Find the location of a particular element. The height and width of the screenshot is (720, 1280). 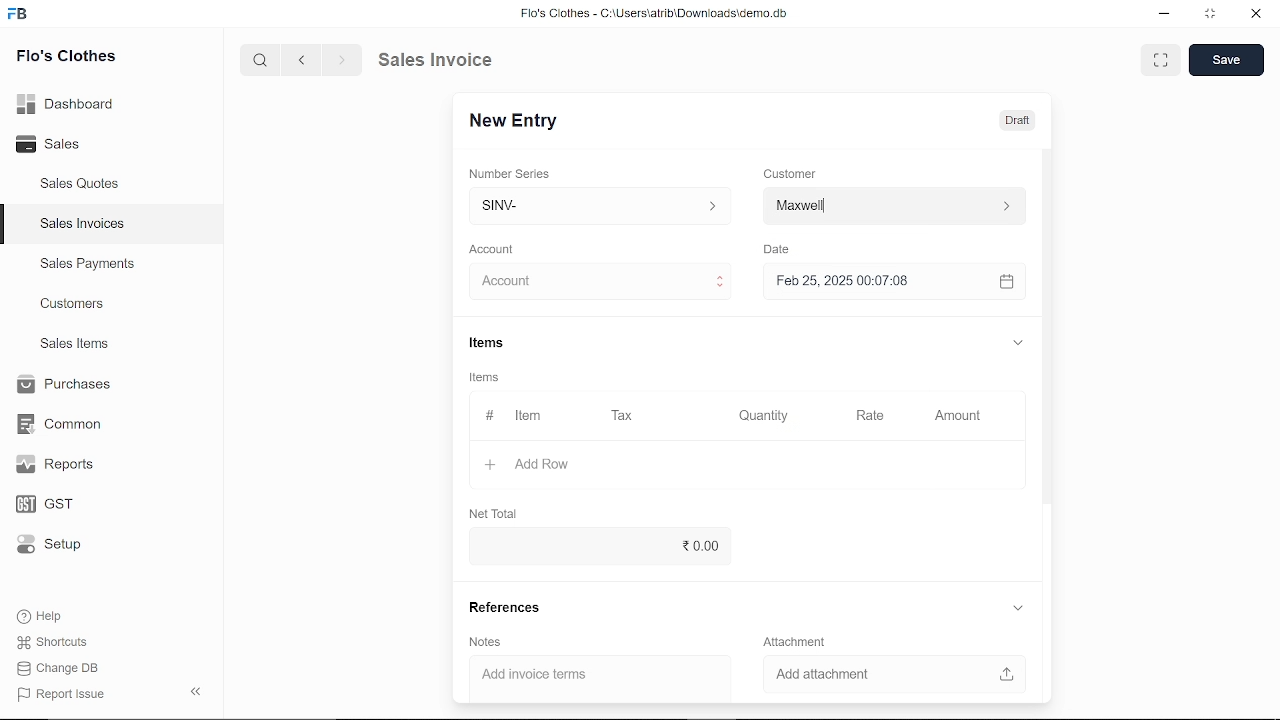

Common is located at coordinates (62, 424).